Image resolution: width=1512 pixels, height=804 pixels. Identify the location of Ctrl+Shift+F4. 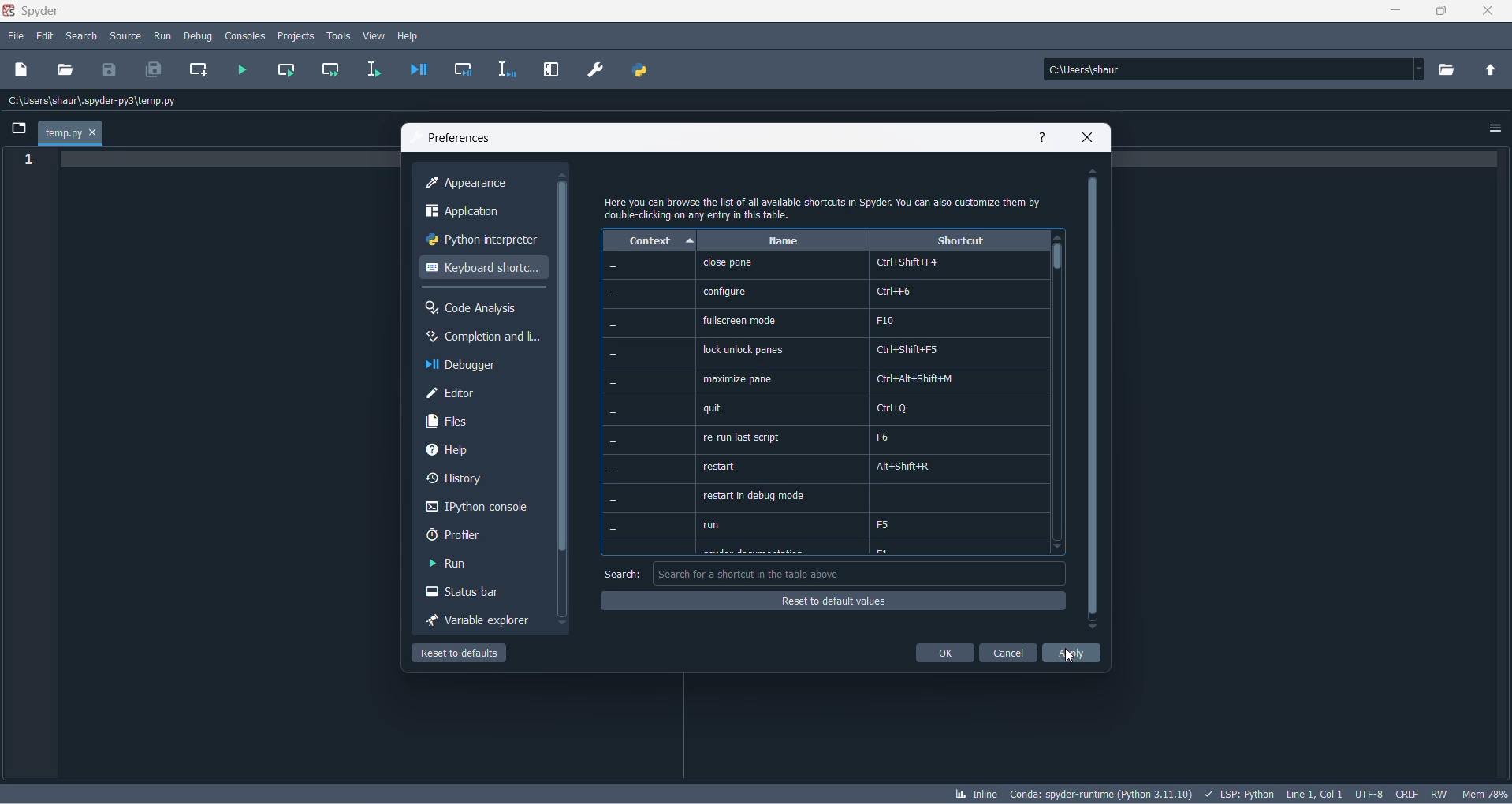
(906, 262).